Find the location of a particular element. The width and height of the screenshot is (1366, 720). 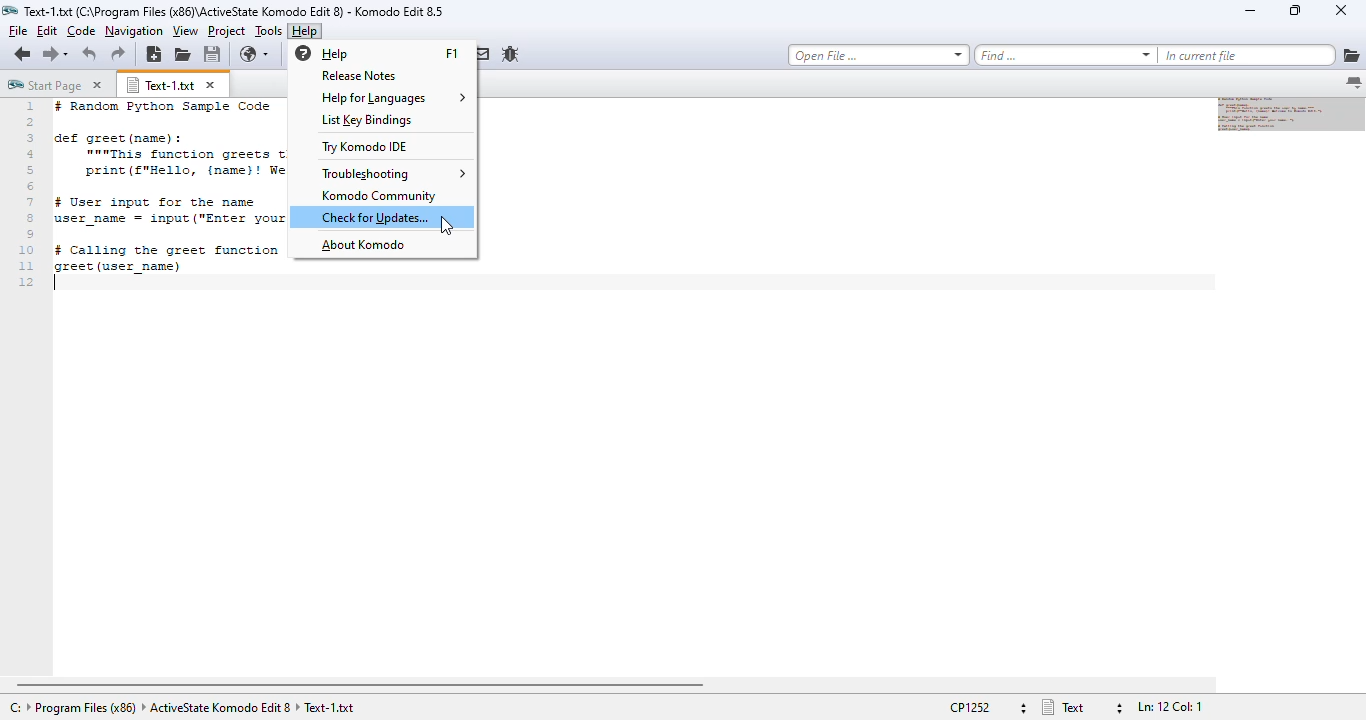

report a bug is located at coordinates (516, 56).